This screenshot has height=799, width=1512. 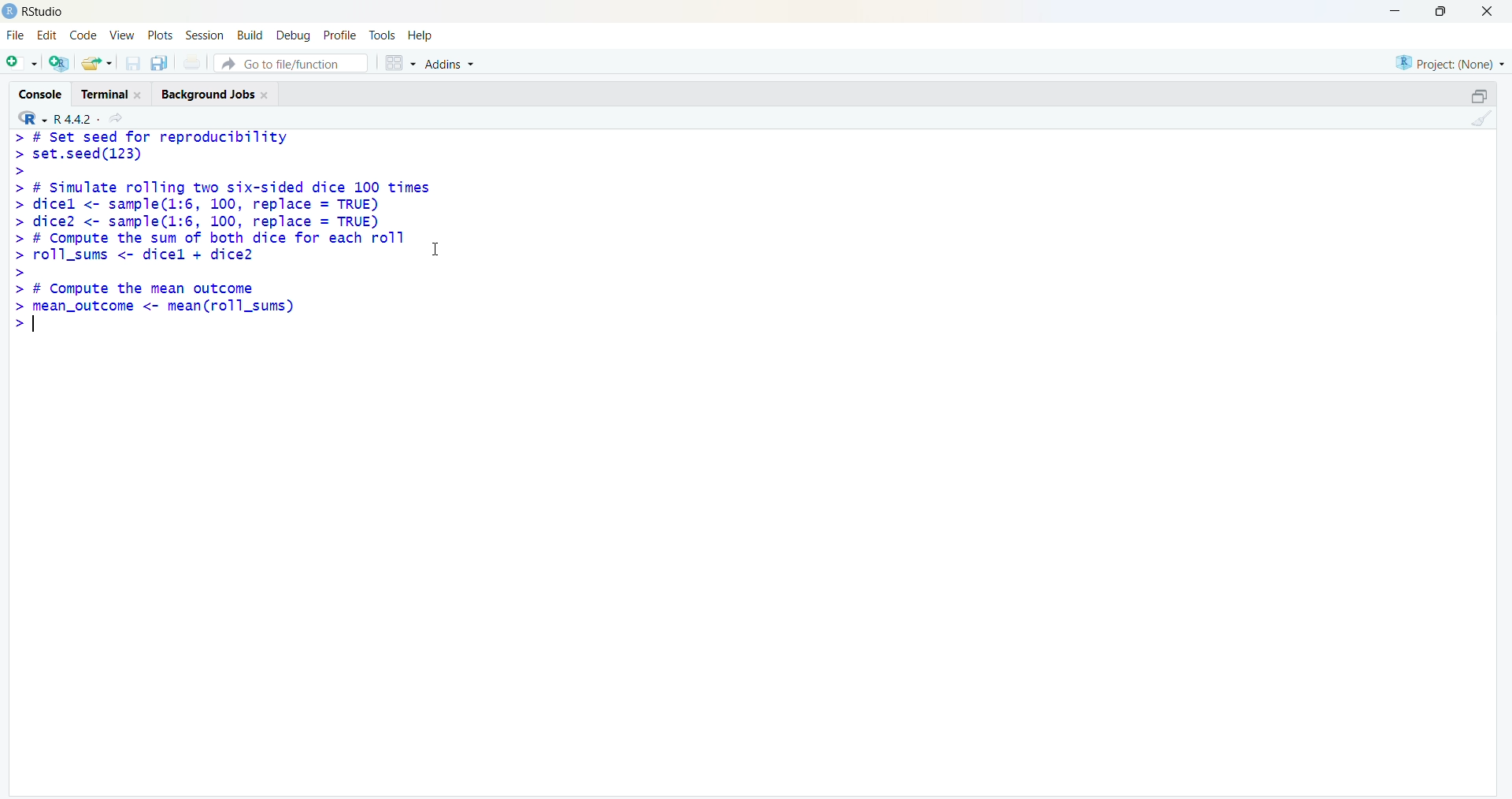 I want to click on close, so click(x=1488, y=10).